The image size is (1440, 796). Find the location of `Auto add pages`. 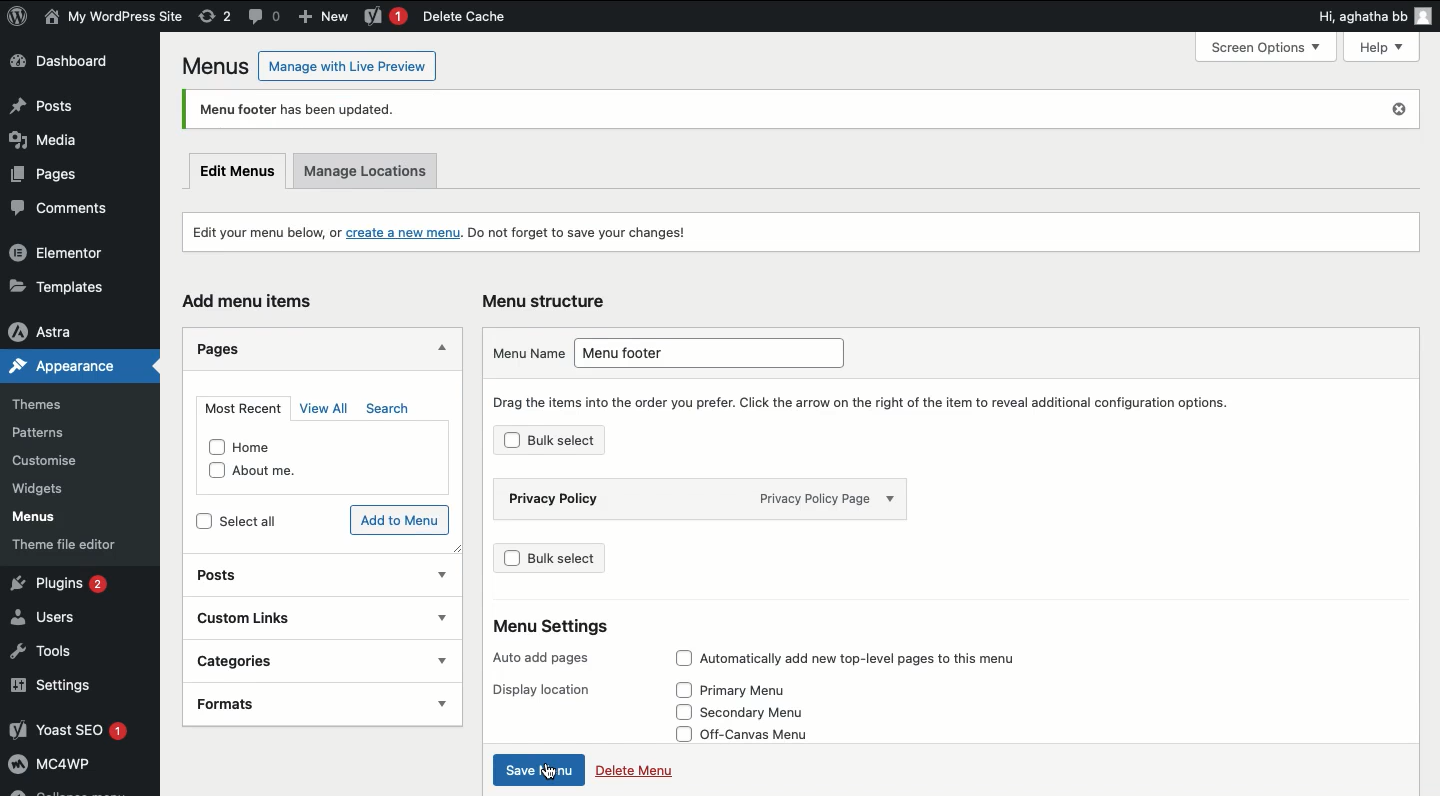

Auto add pages is located at coordinates (541, 657).